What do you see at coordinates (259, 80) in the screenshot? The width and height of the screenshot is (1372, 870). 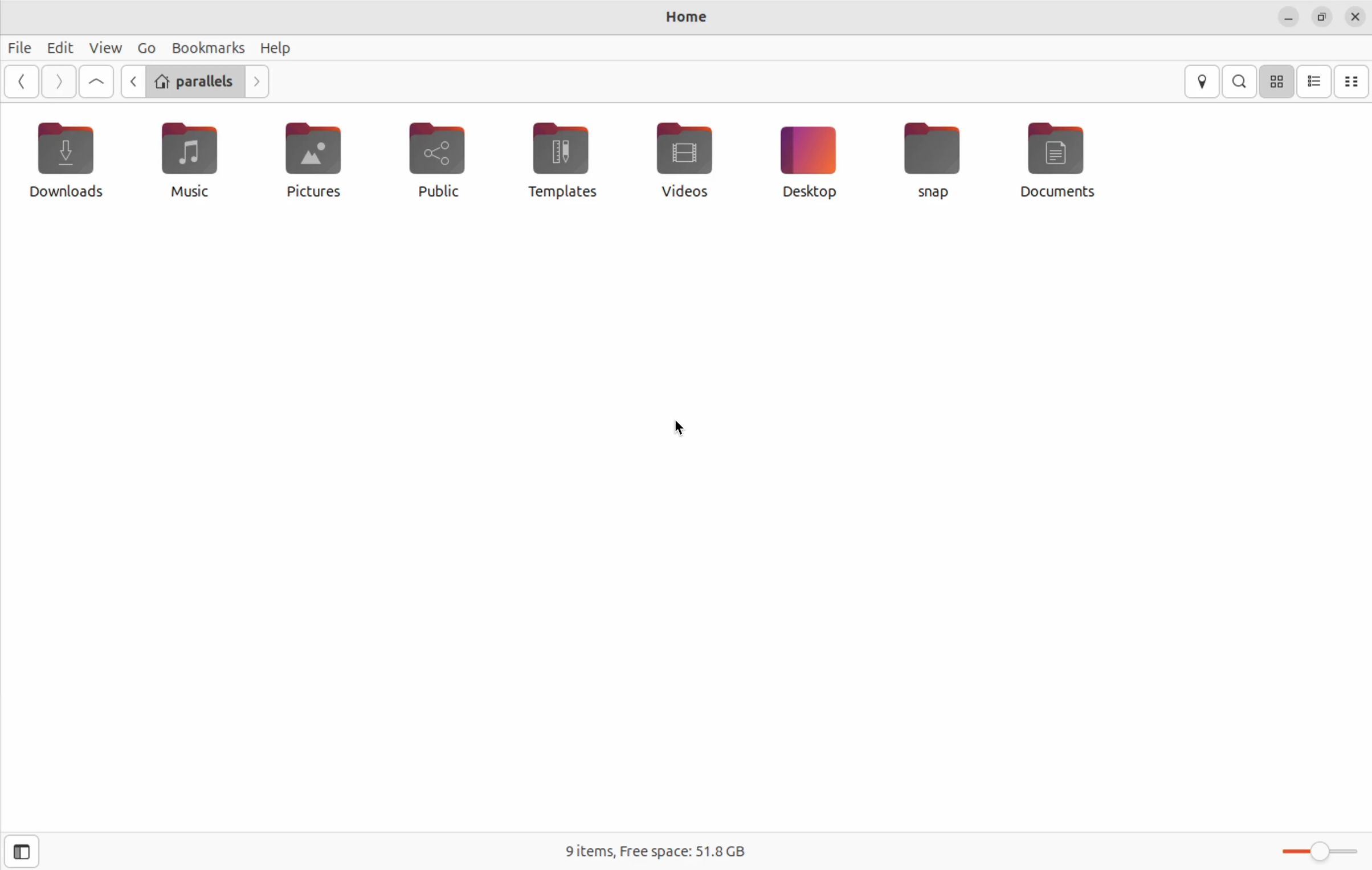 I see `Go next` at bounding box center [259, 80].